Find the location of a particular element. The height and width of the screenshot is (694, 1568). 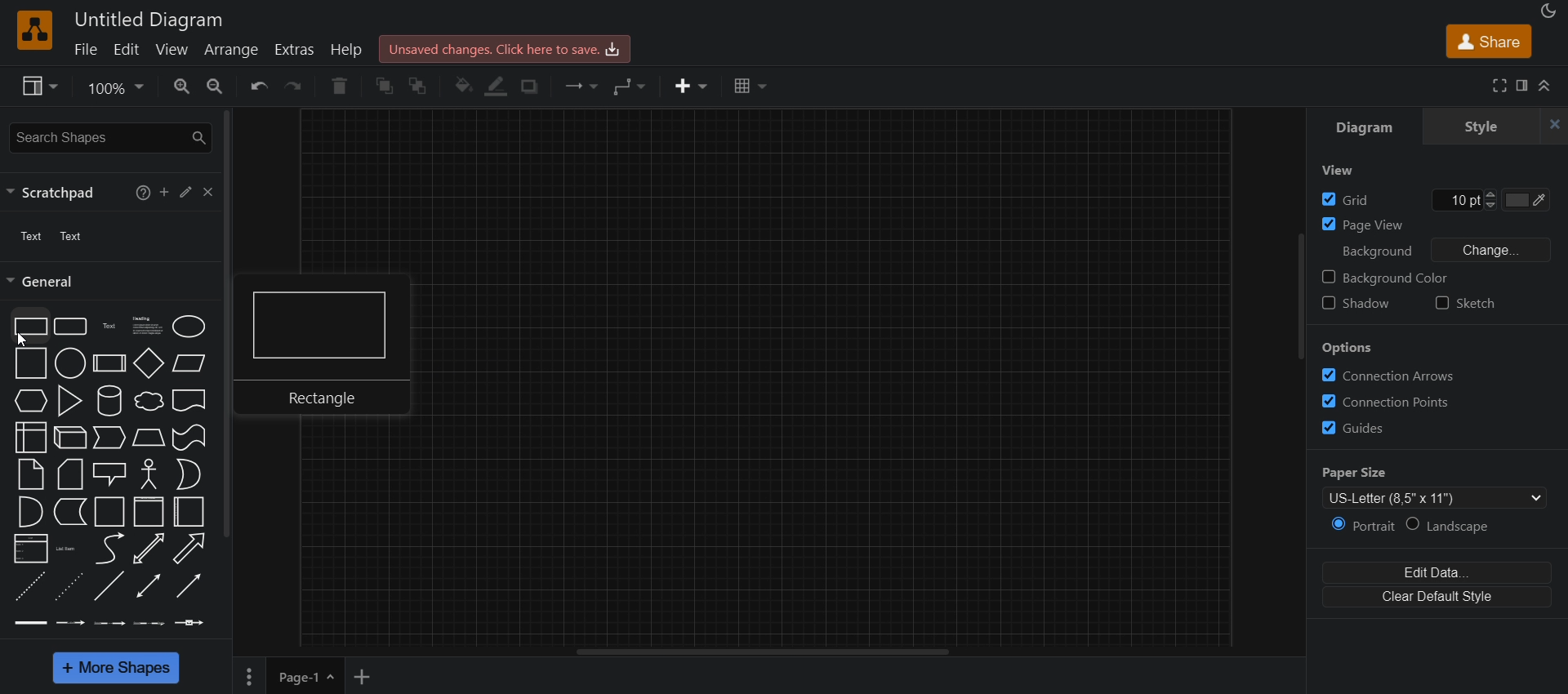

edit data is located at coordinates (1432, 570).